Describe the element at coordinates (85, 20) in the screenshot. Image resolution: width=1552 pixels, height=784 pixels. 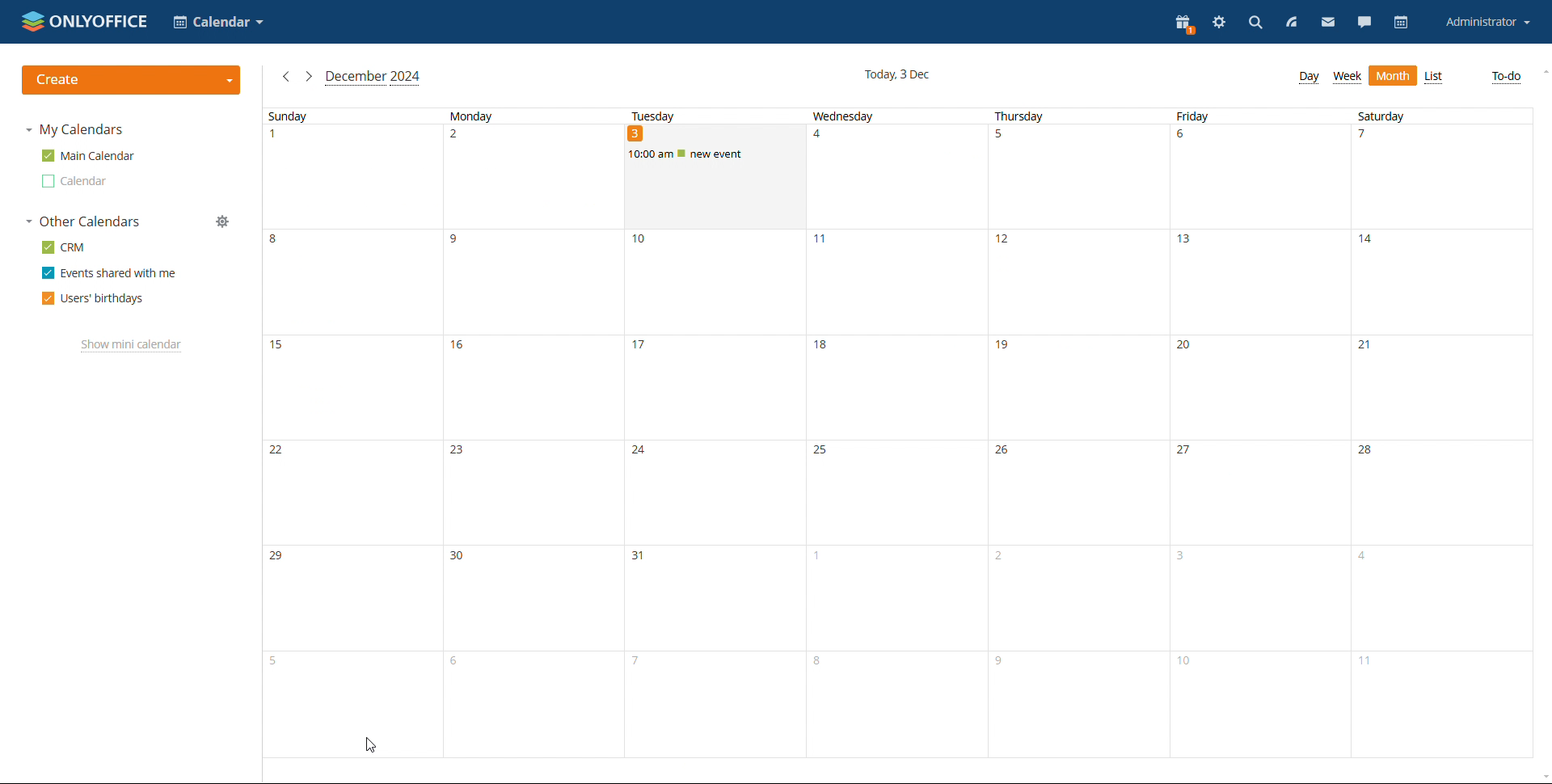
I see `logo` at that location.